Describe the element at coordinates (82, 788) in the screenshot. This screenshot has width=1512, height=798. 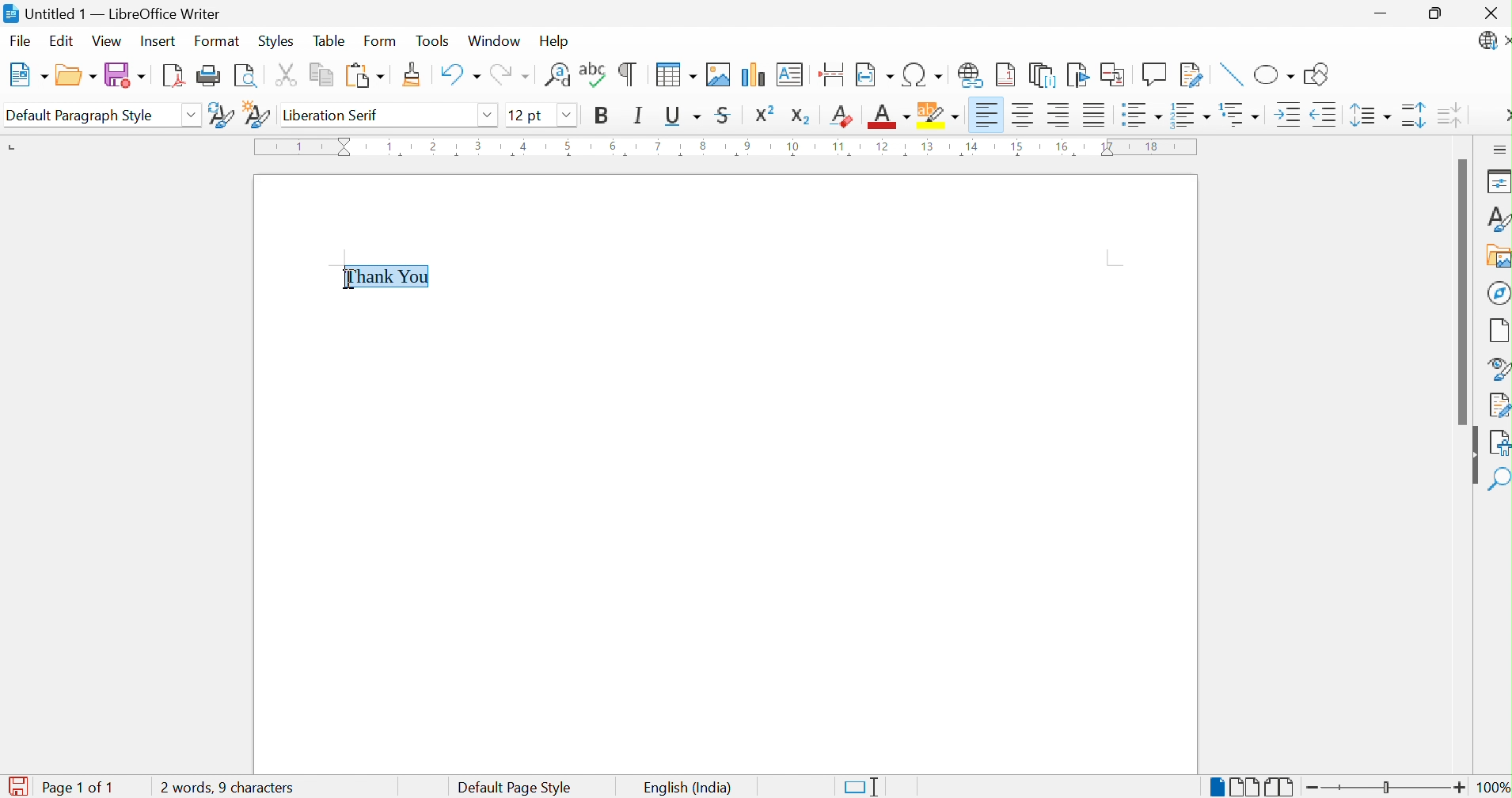
I see `Page 1 of 1` at that location.